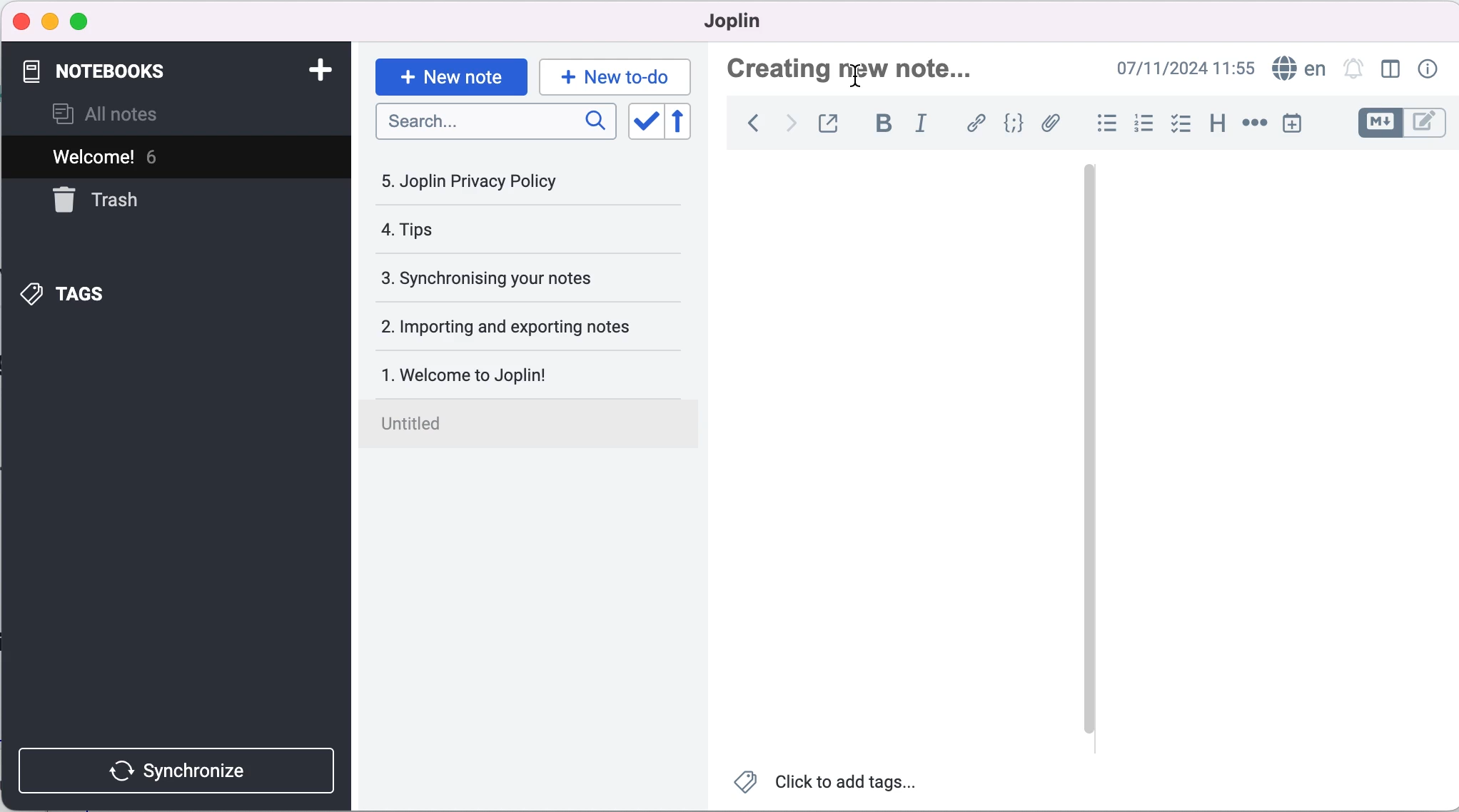  Describe the element at coordinates (128, 113) in the screenshot. I see `all notes` at that location.